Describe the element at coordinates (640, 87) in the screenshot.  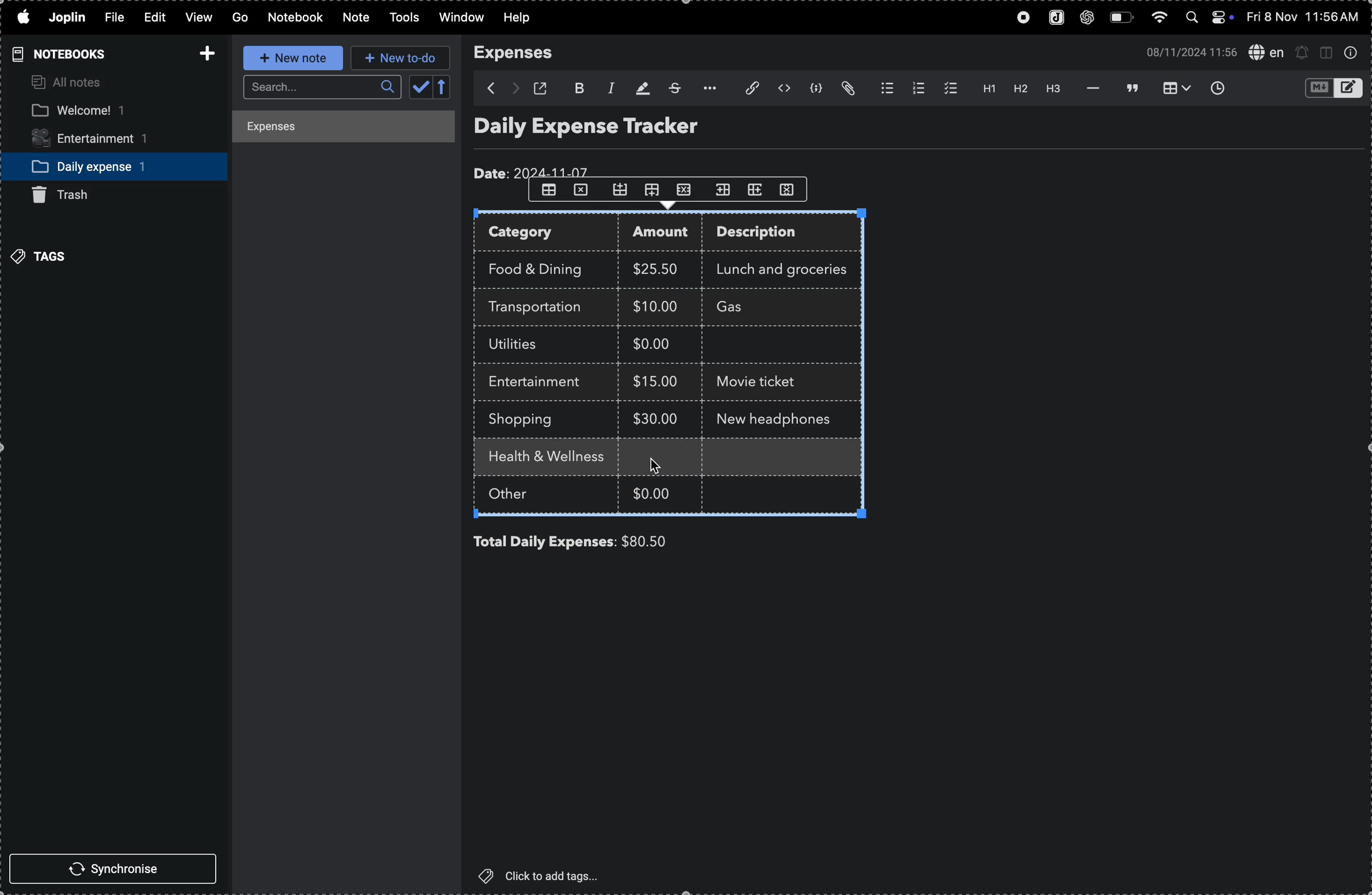
I see `highlight` at that location.